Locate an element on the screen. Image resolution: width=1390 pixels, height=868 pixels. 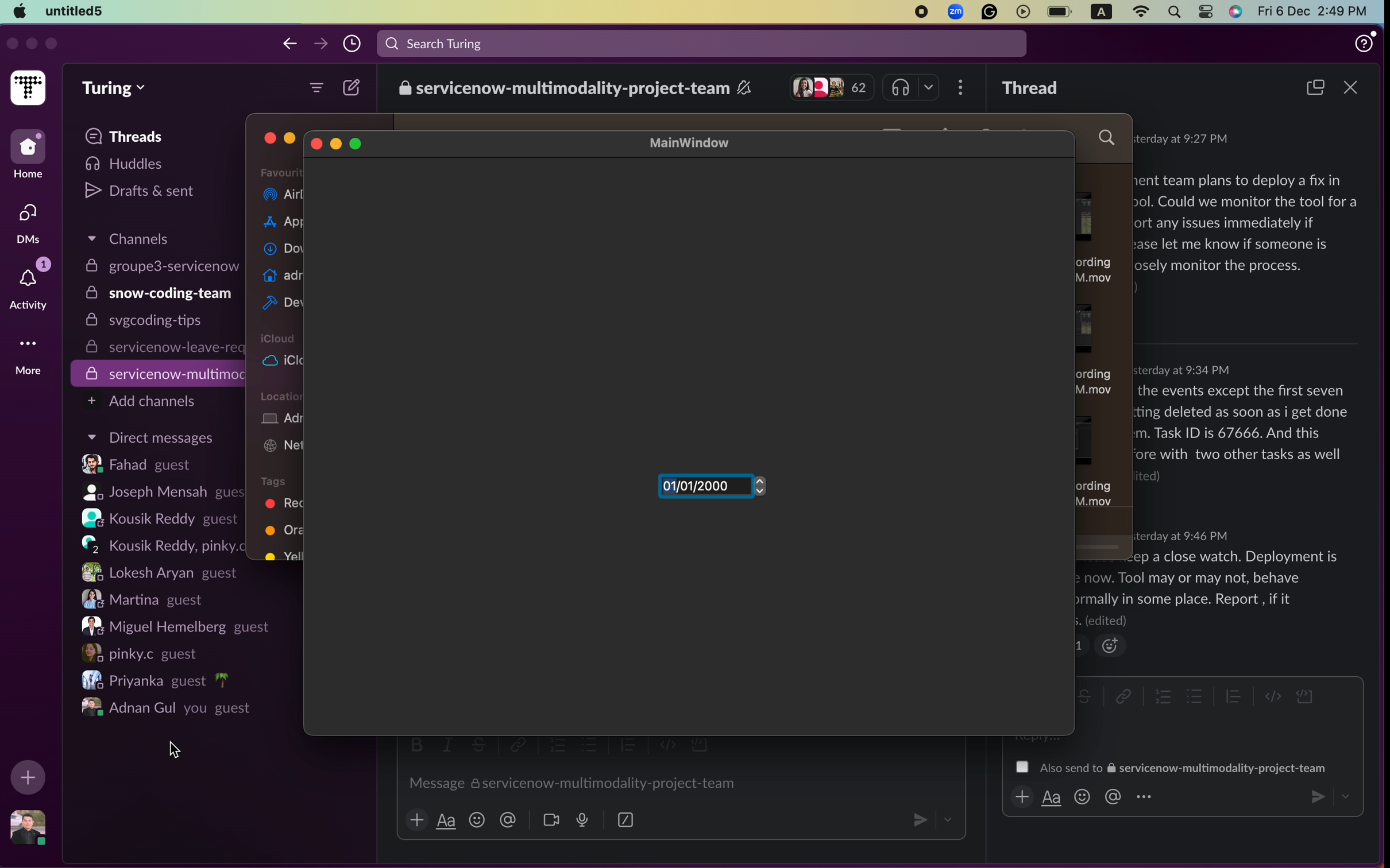
untitled 5  is located at coordinates (74, 10).